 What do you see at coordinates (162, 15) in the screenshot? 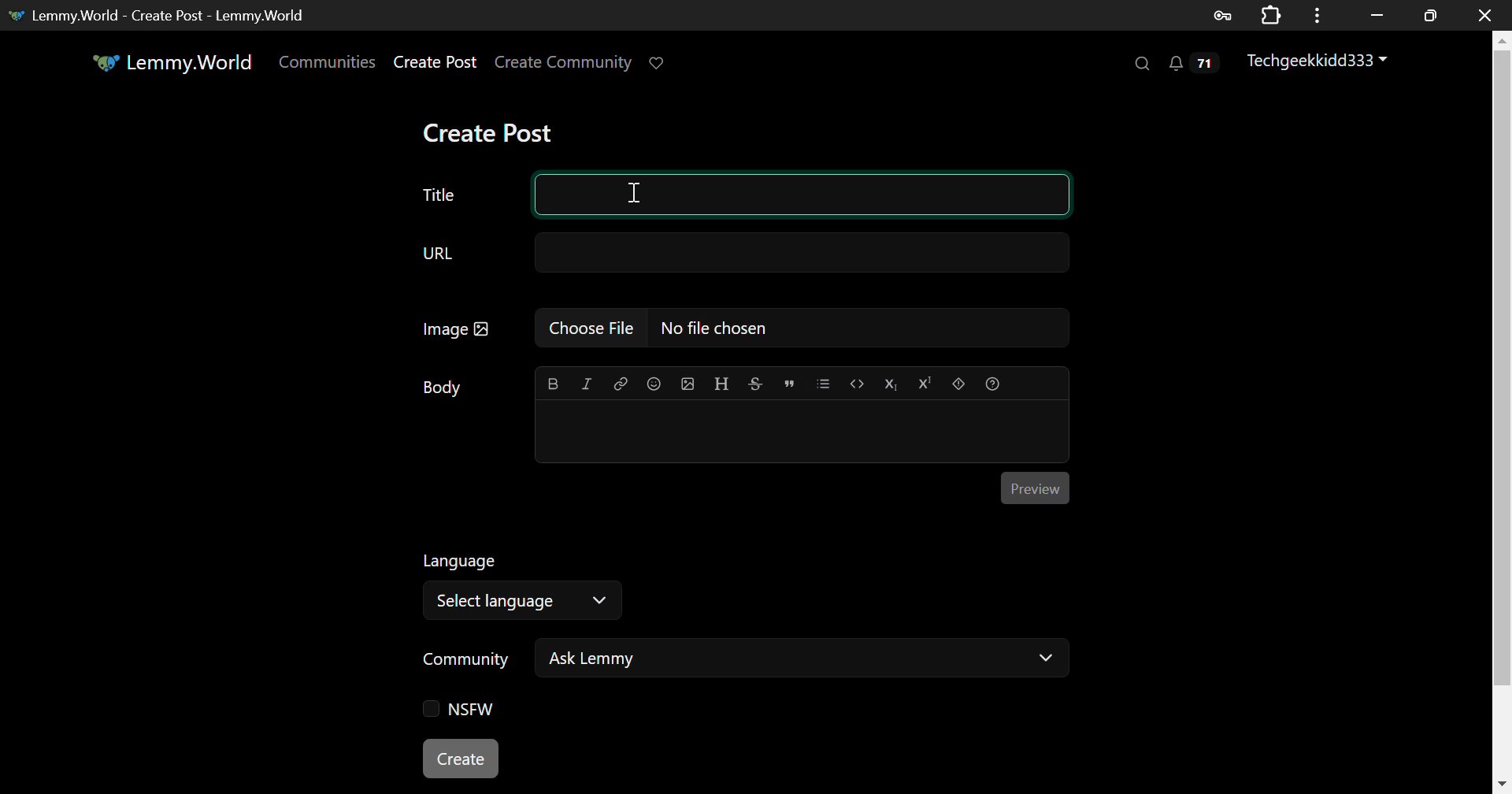
I see `Lemmy.World - Create Post - Lemmy.World` at bounding box center [162, 15].